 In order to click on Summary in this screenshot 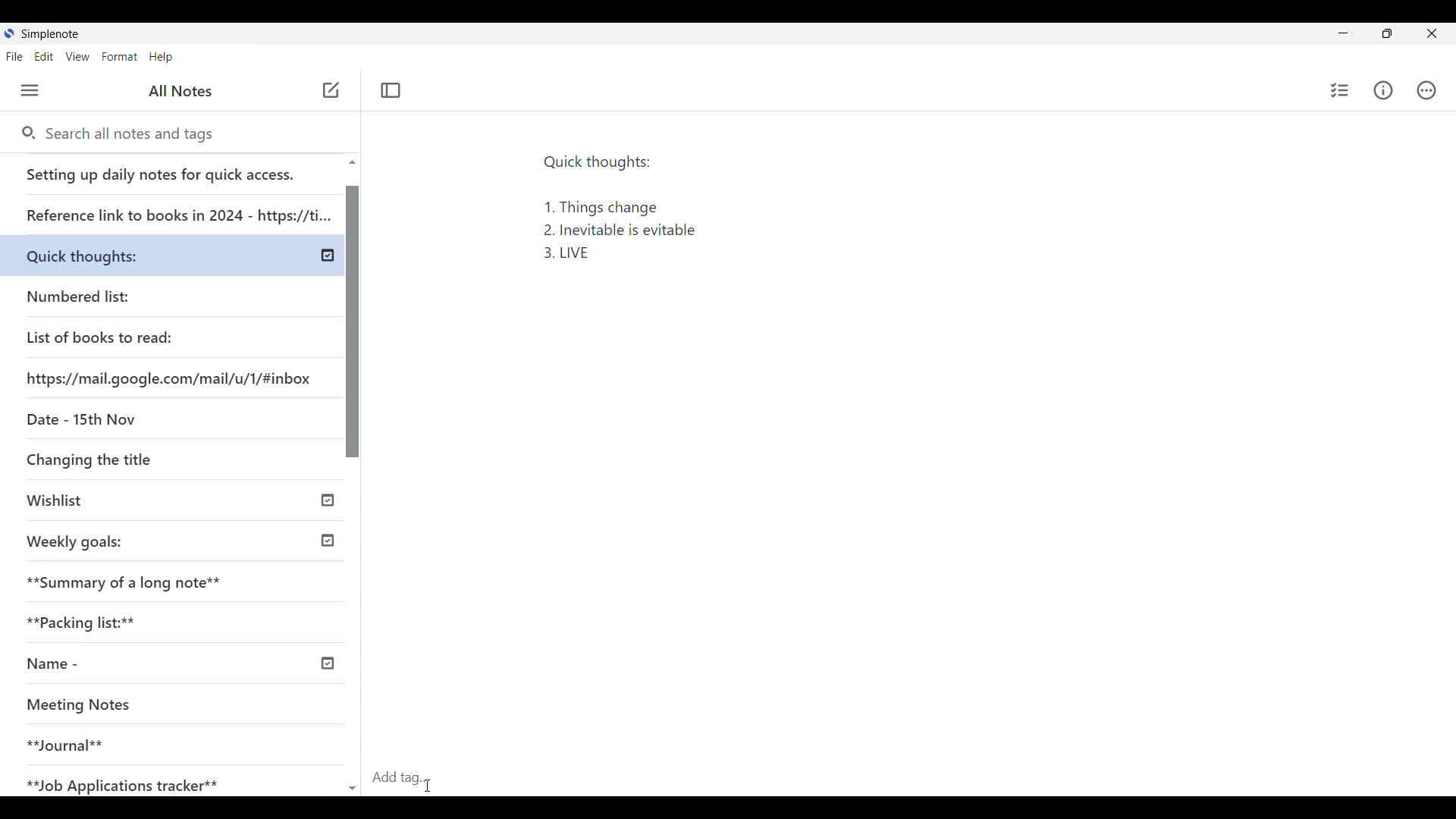, I will do `click(181, 578)`.